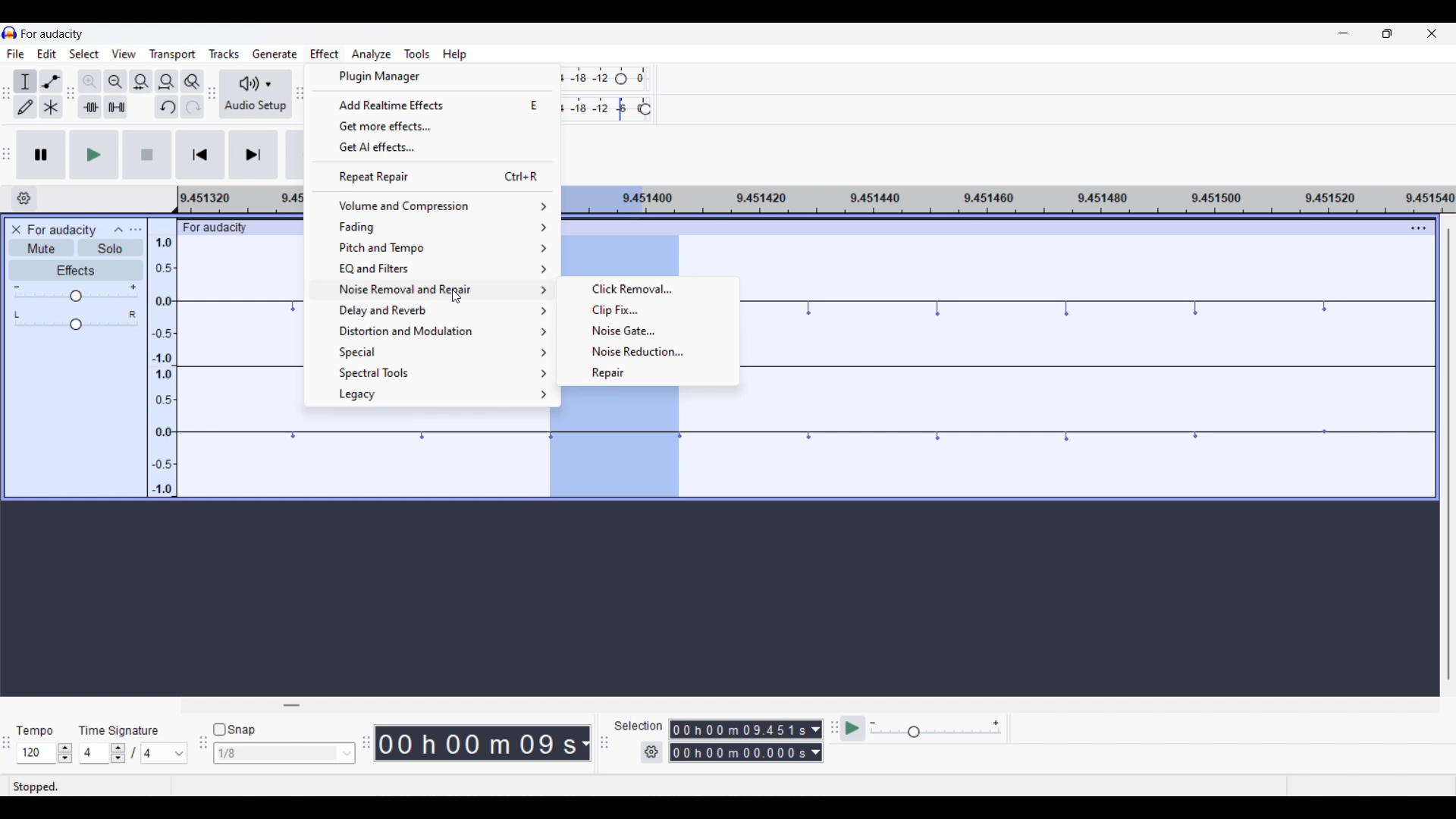 The image size is (1456, 819). Describe the element at coordinates (1446, 453) in the screenshot. I see `Vertical scroll bar` at that location.